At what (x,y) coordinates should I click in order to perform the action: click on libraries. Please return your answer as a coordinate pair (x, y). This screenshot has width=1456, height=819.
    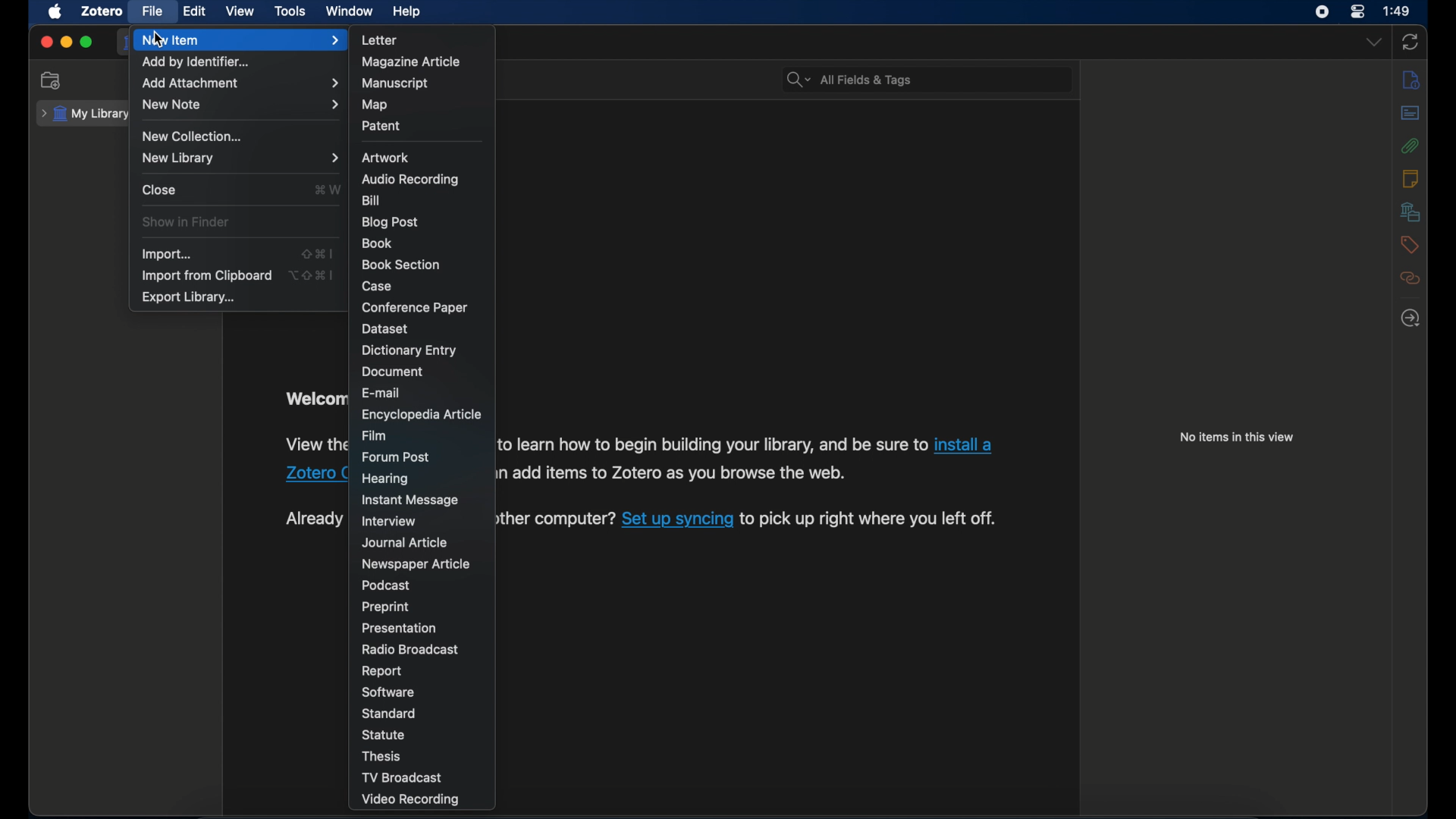
    Looking at the image, I should click on (1410, 212).